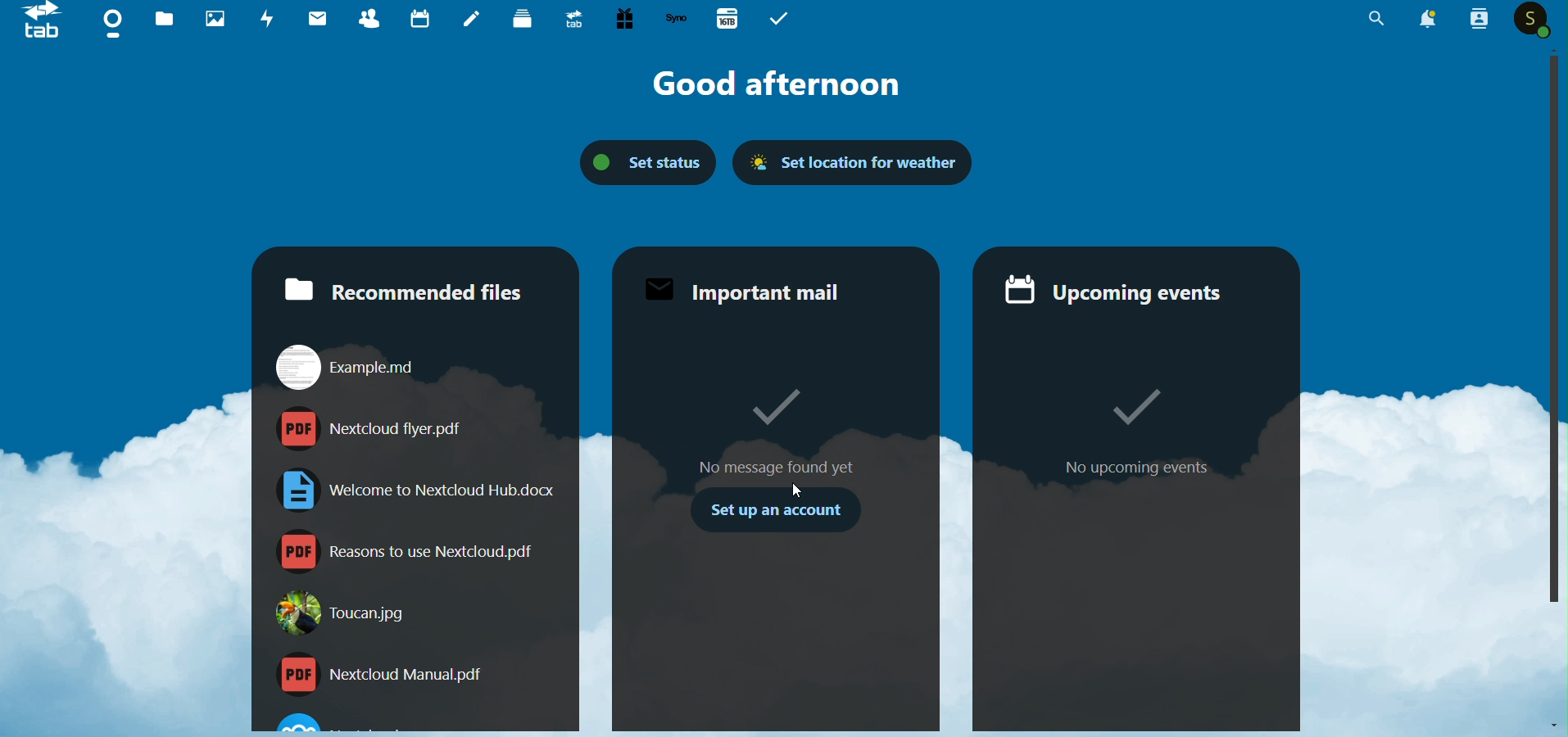  I want to click on Calendar, so click(416, 18).